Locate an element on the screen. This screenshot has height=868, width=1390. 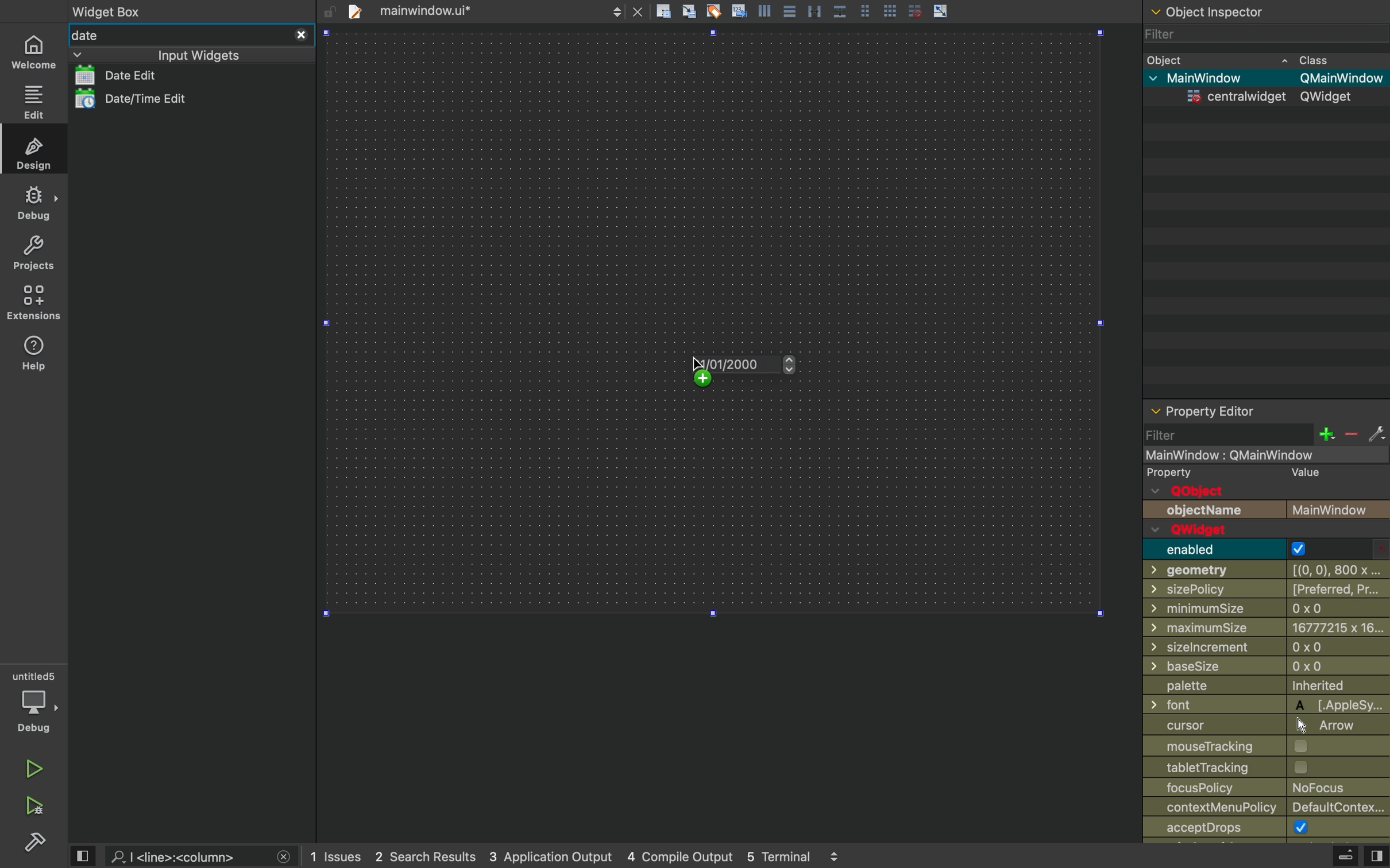
edit is located at coordinates (33, 102).